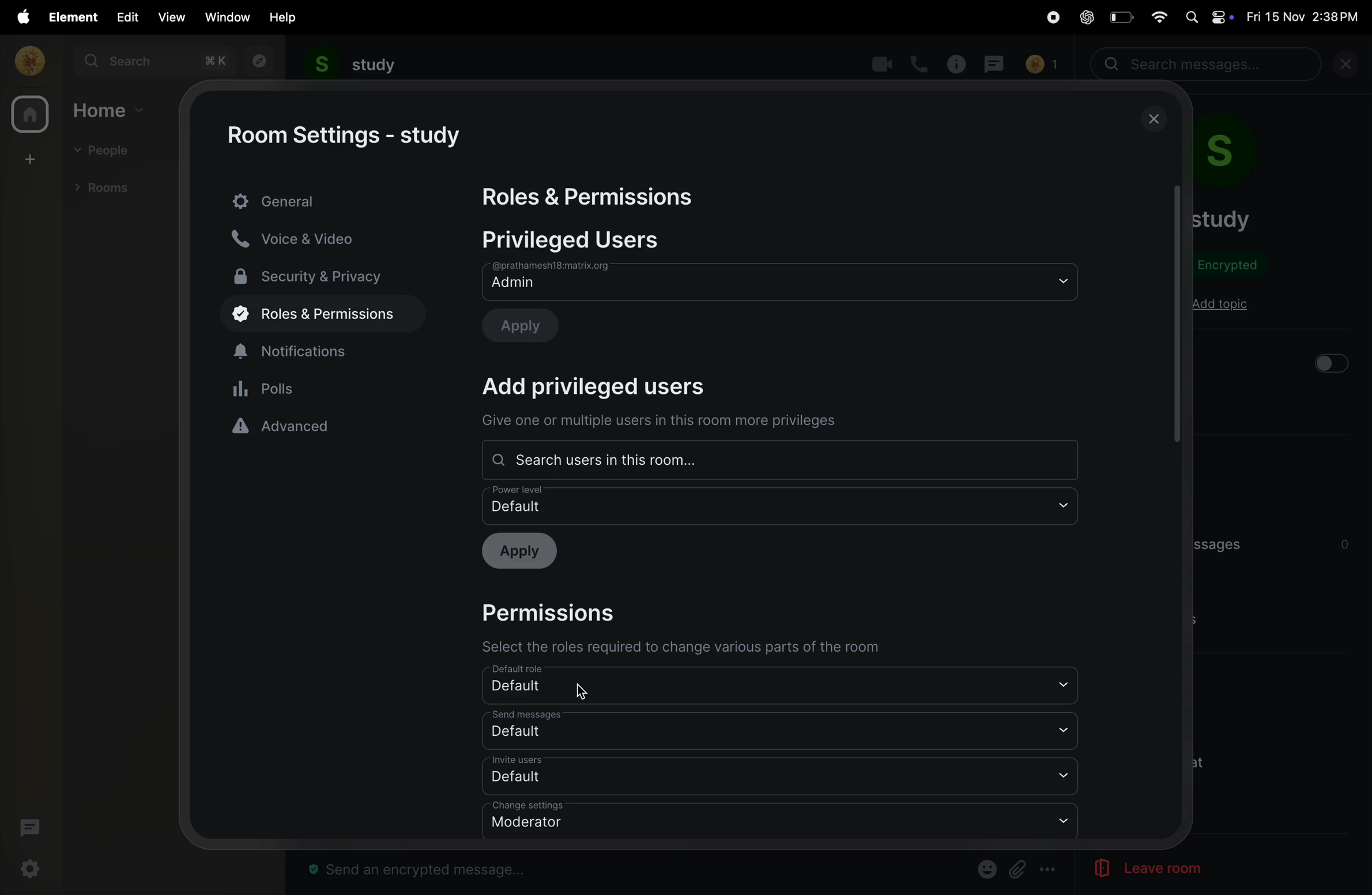 Image resolution: width=1372 pixels, height=895 pixels. What do you see at coordinates (997, 62) in the screenshot?
I see `messages` at bounding box center [997, 62].